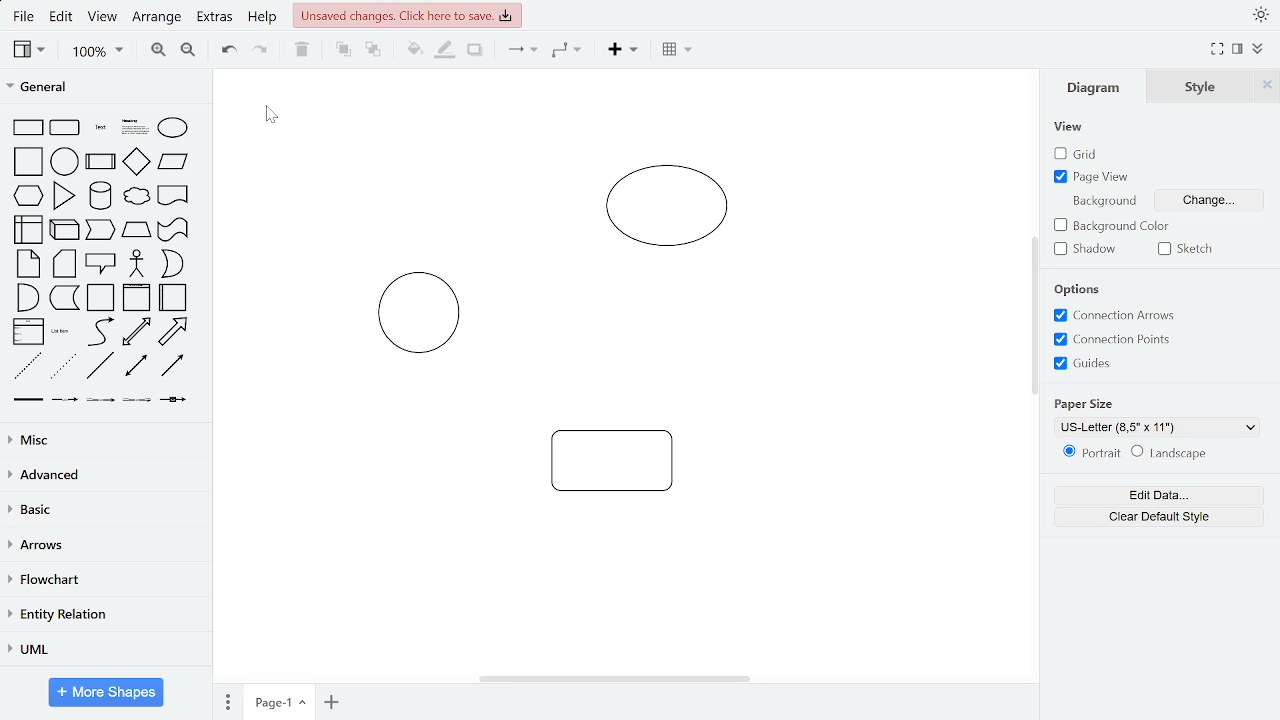  I want to click on Connector with label, so click(65, 403).